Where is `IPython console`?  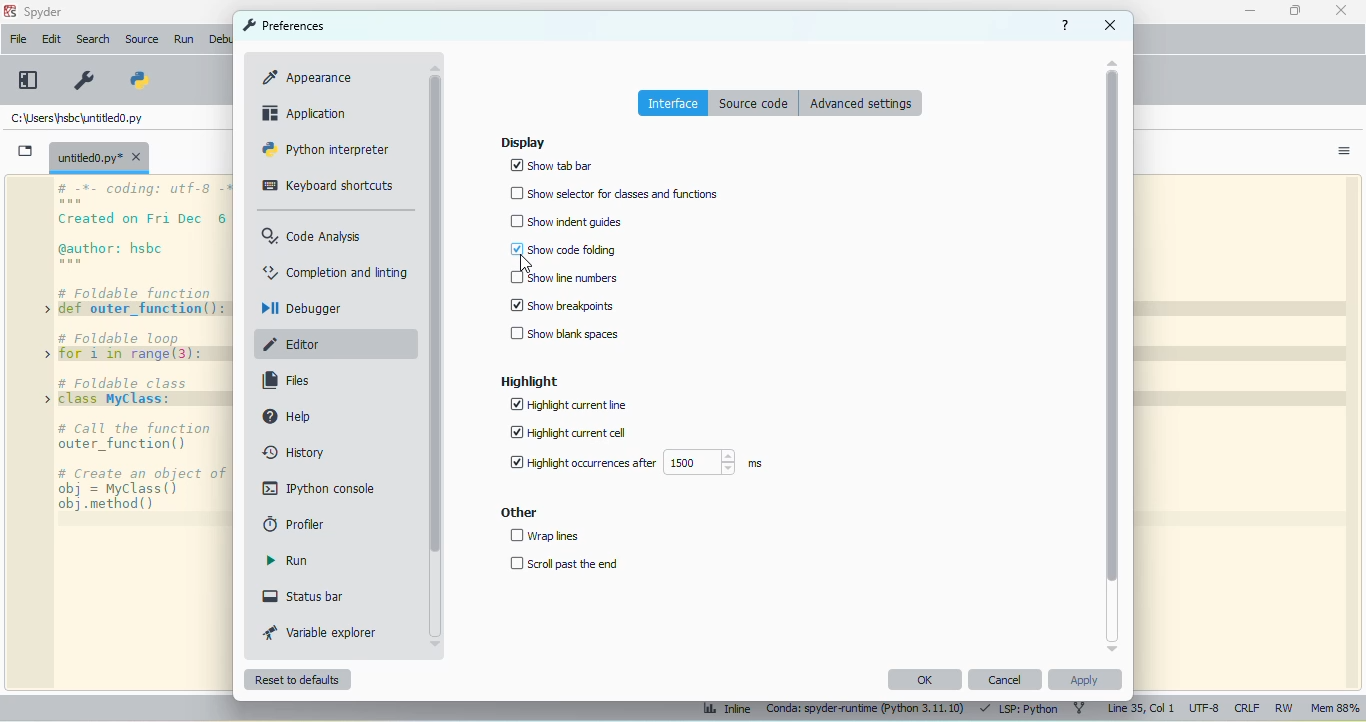
IPython console is located at coordinates (321, 487).